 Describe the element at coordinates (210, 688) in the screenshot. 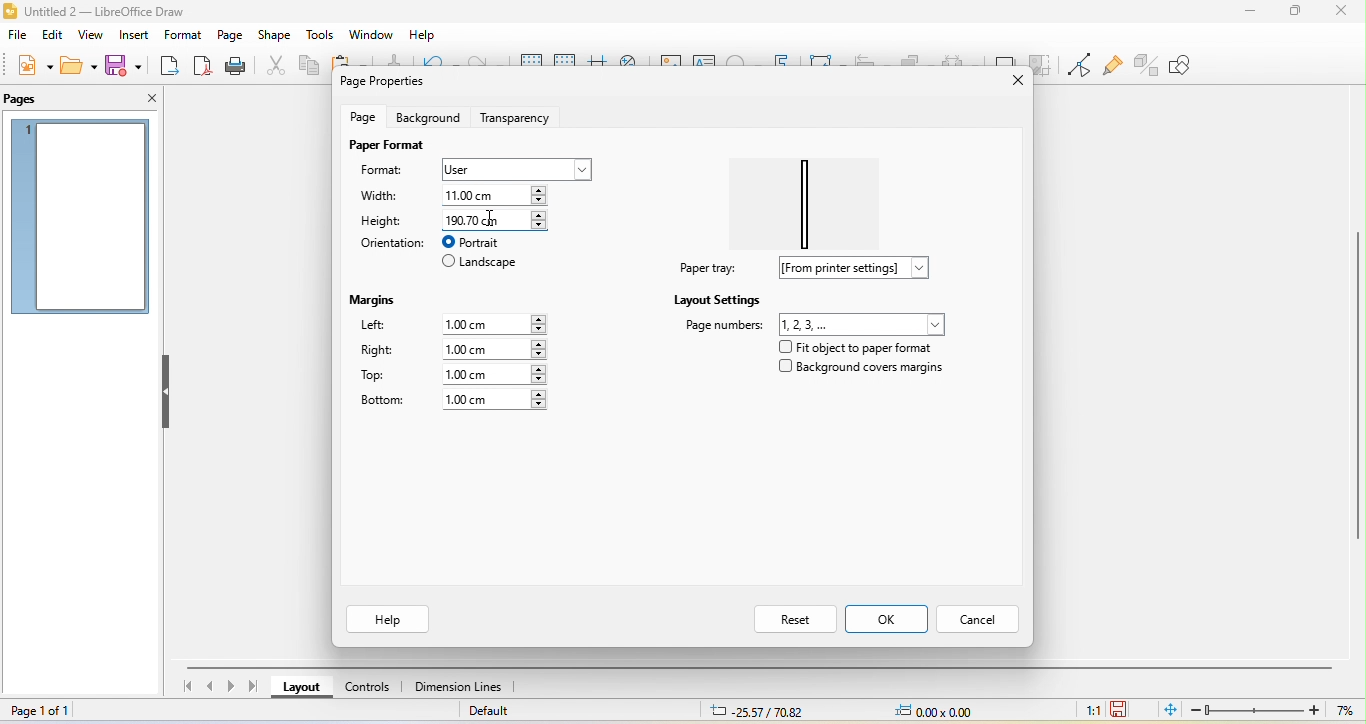

I see `previous page` at that location.